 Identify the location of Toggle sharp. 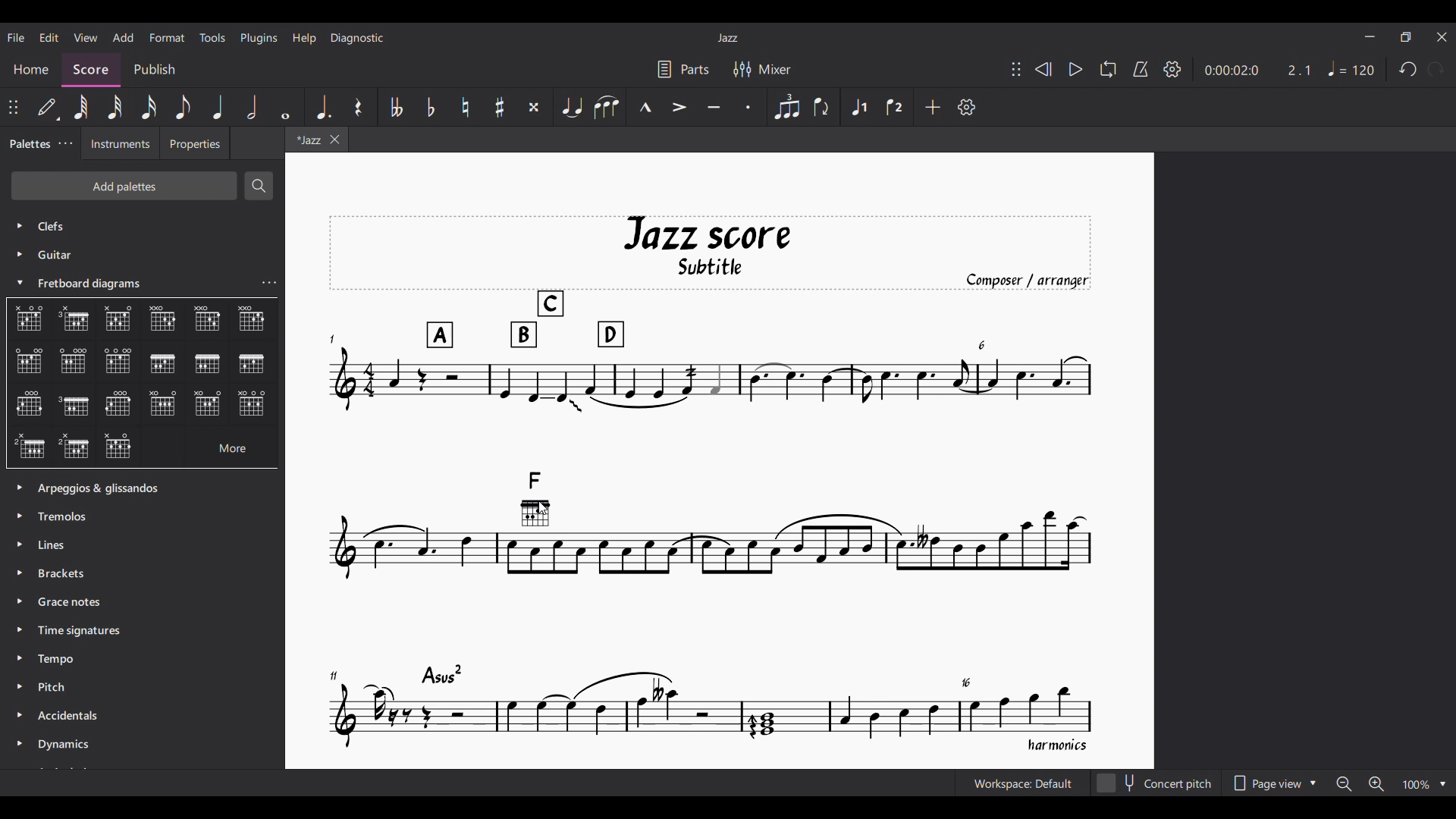
(500, 107).